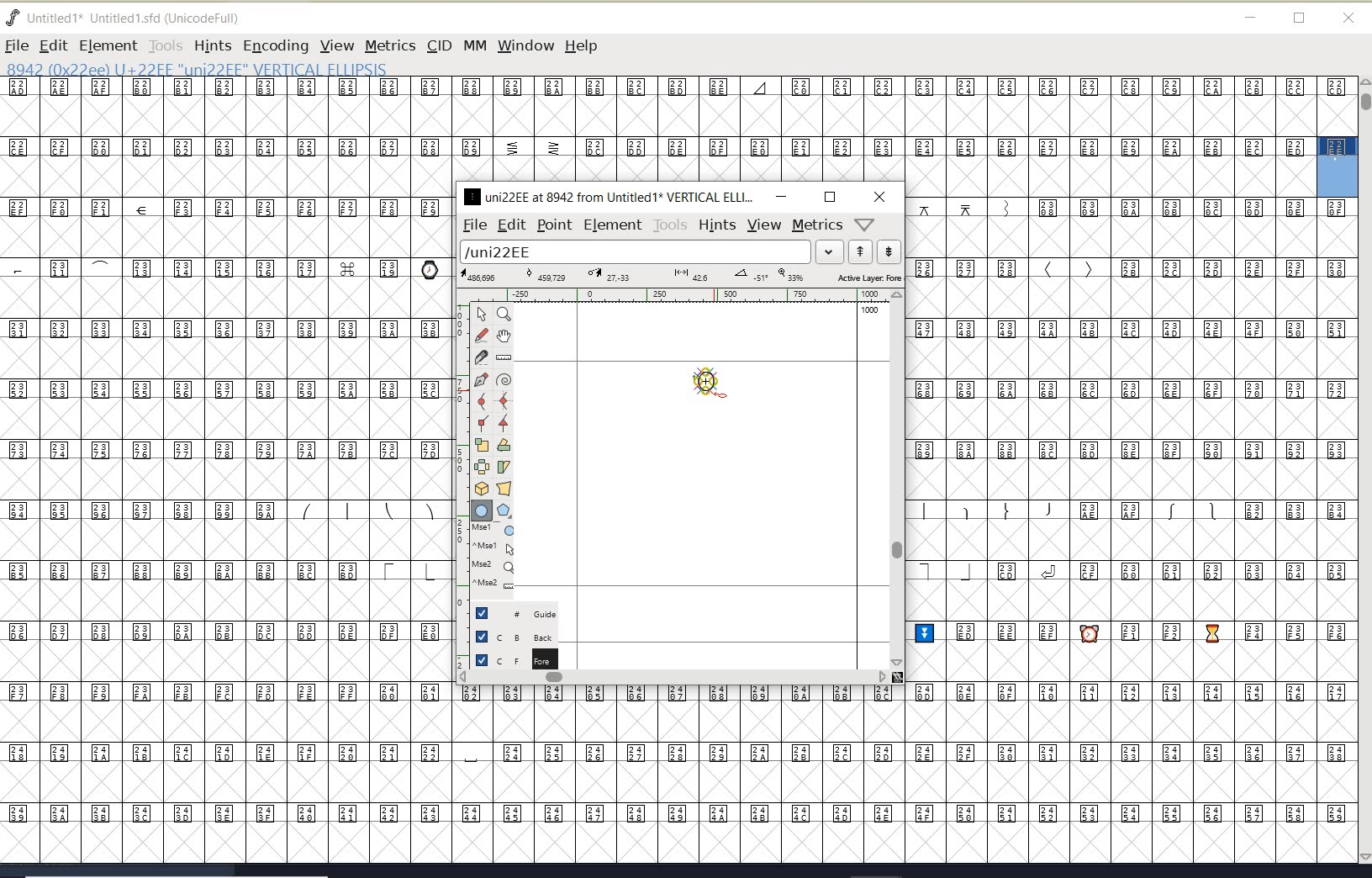 The height and width of the screenshot is (878, 1372). I want to click on hints, so click(716, 225).